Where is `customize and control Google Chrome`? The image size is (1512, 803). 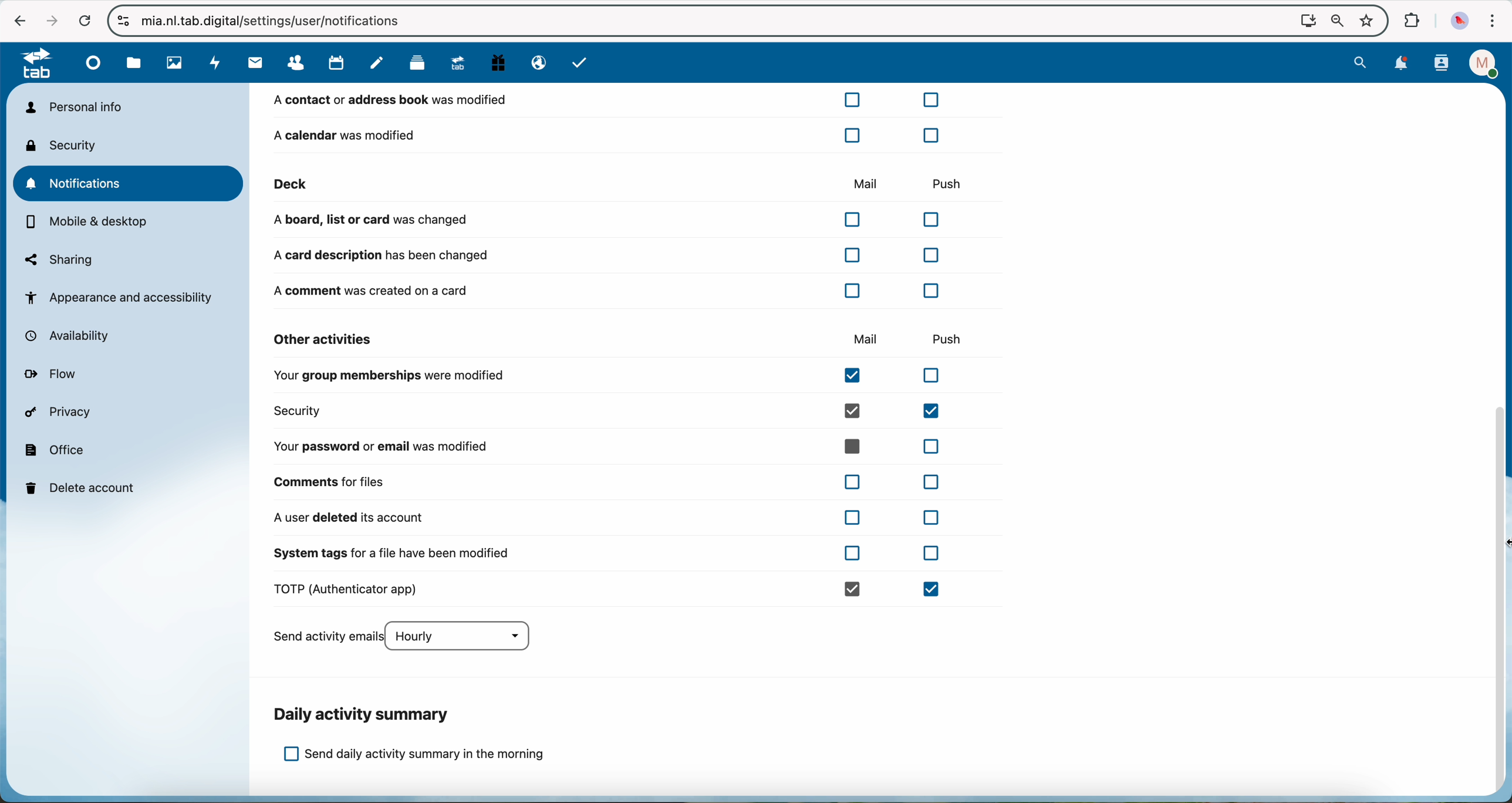
customize and control Google Chrome is located at coordinates (1494, 21).